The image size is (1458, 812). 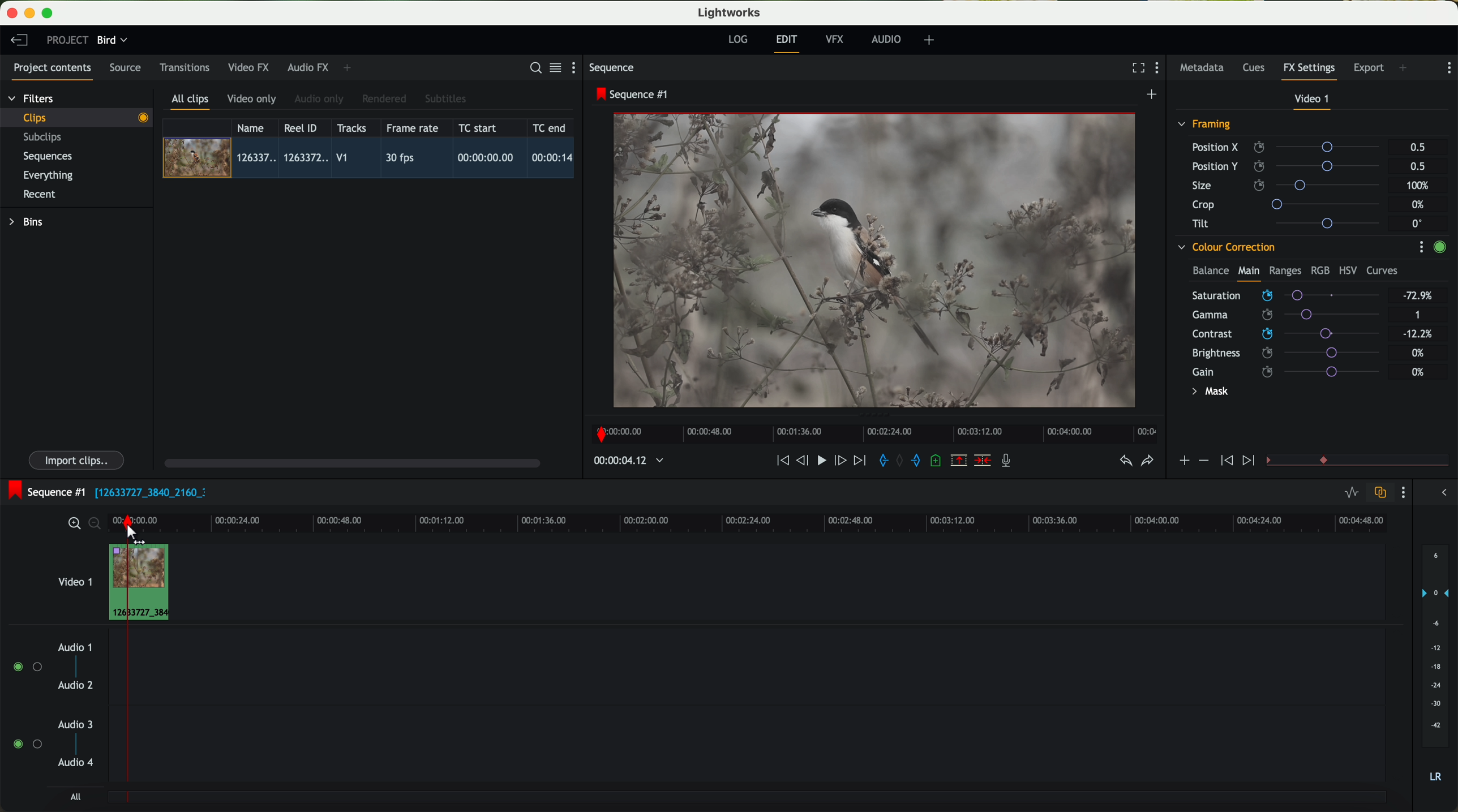 I want to click on audio only, so click(x=320, y=99).